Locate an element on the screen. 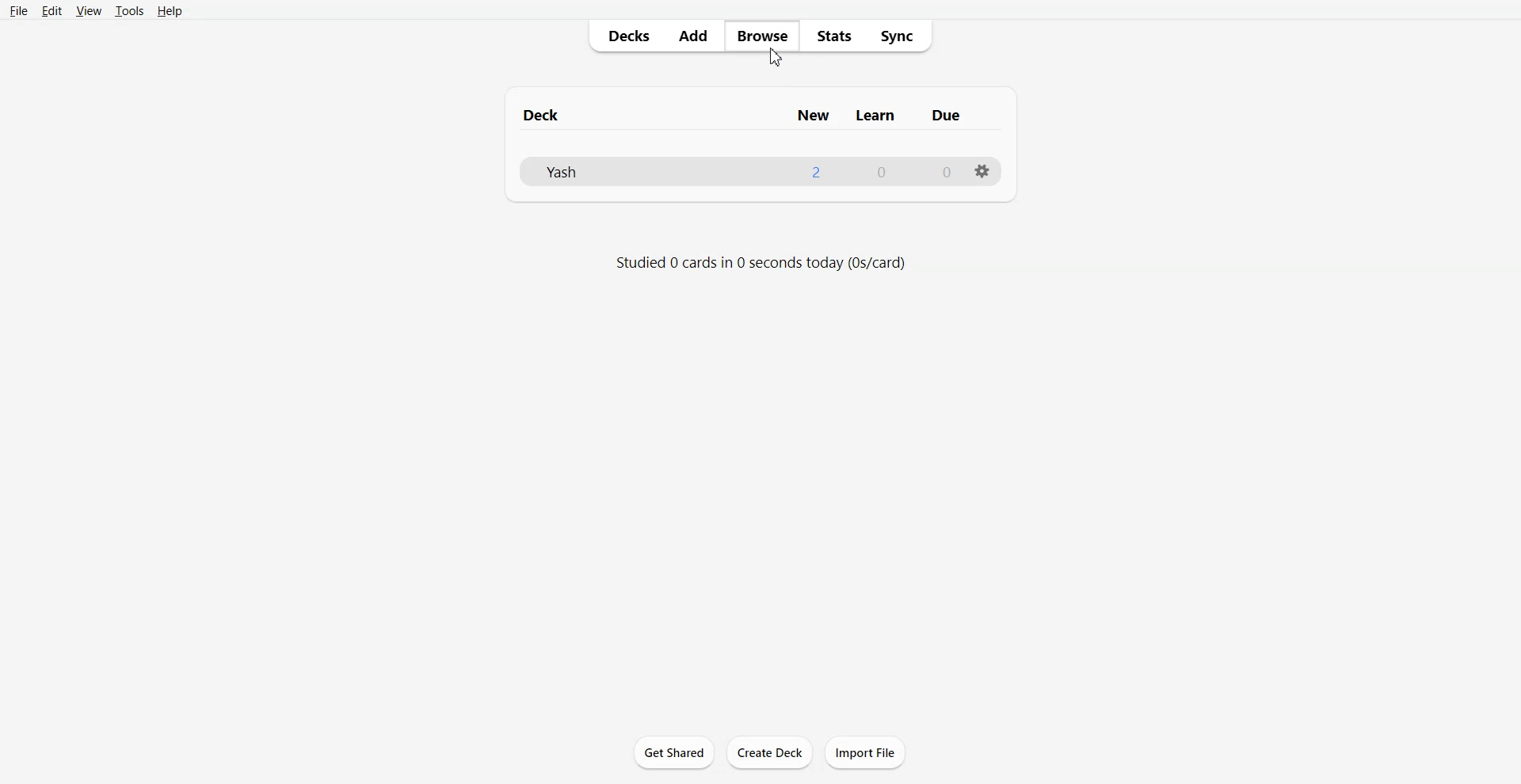 The height and width of the screenshot is (784, 1521). Sync is located at coordinates (902, 36).